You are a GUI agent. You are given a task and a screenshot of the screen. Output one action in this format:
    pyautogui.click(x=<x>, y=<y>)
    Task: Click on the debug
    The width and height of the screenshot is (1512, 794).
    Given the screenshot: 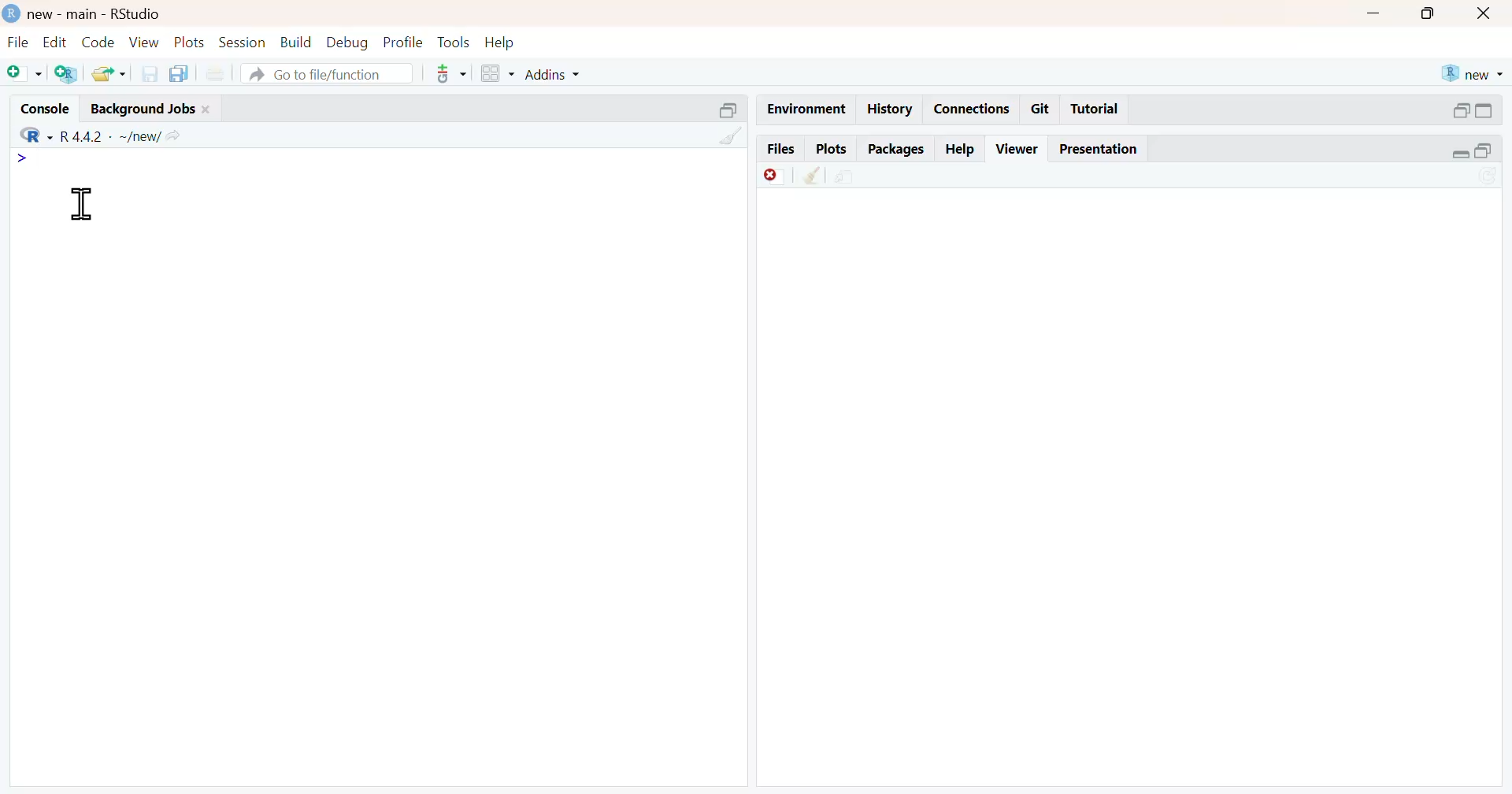 What is the action you would take?
    pyautogui.click(x=348, y=43)
    